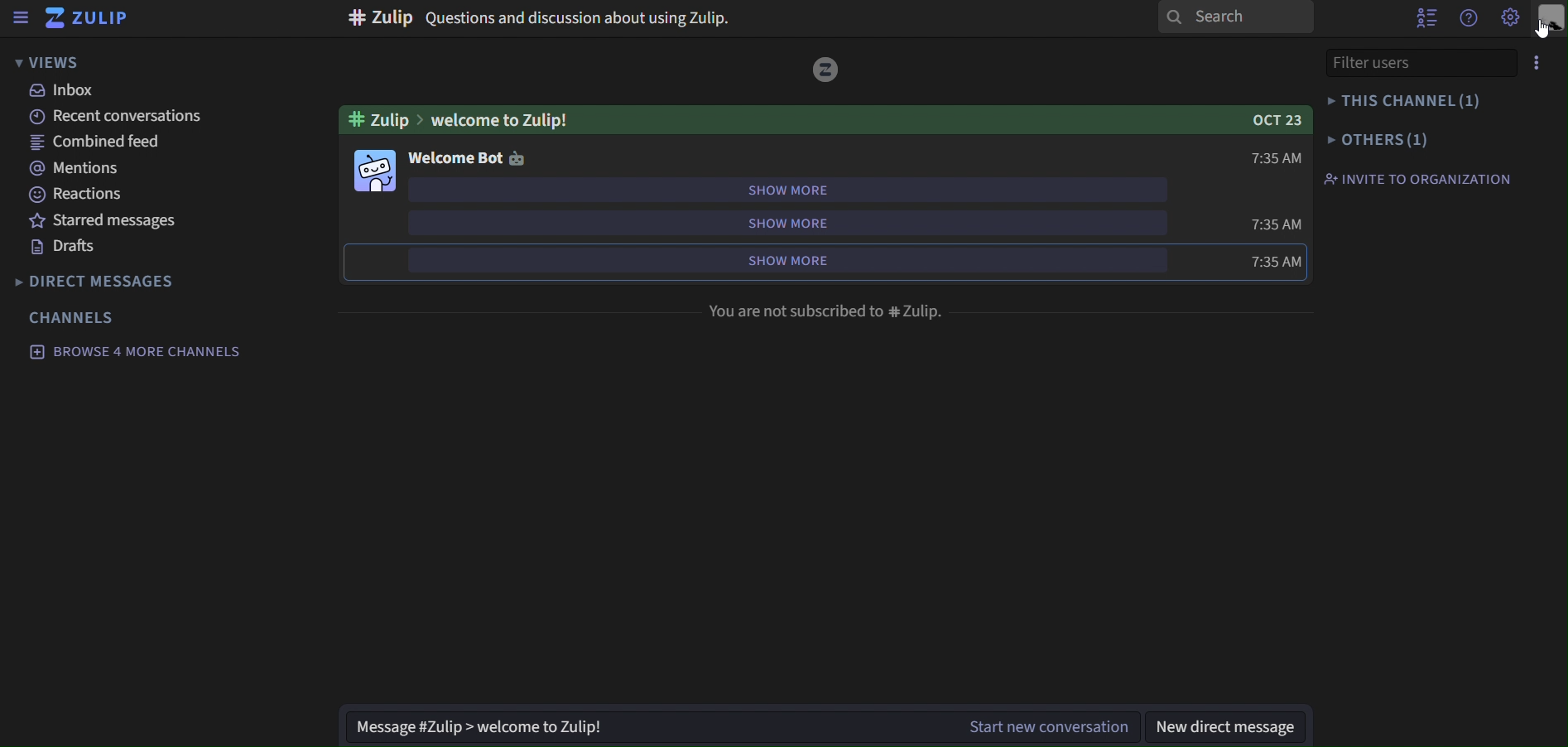 This screenshot has height=747, width=1568. I want to click on combined feed, so click(96, 144).